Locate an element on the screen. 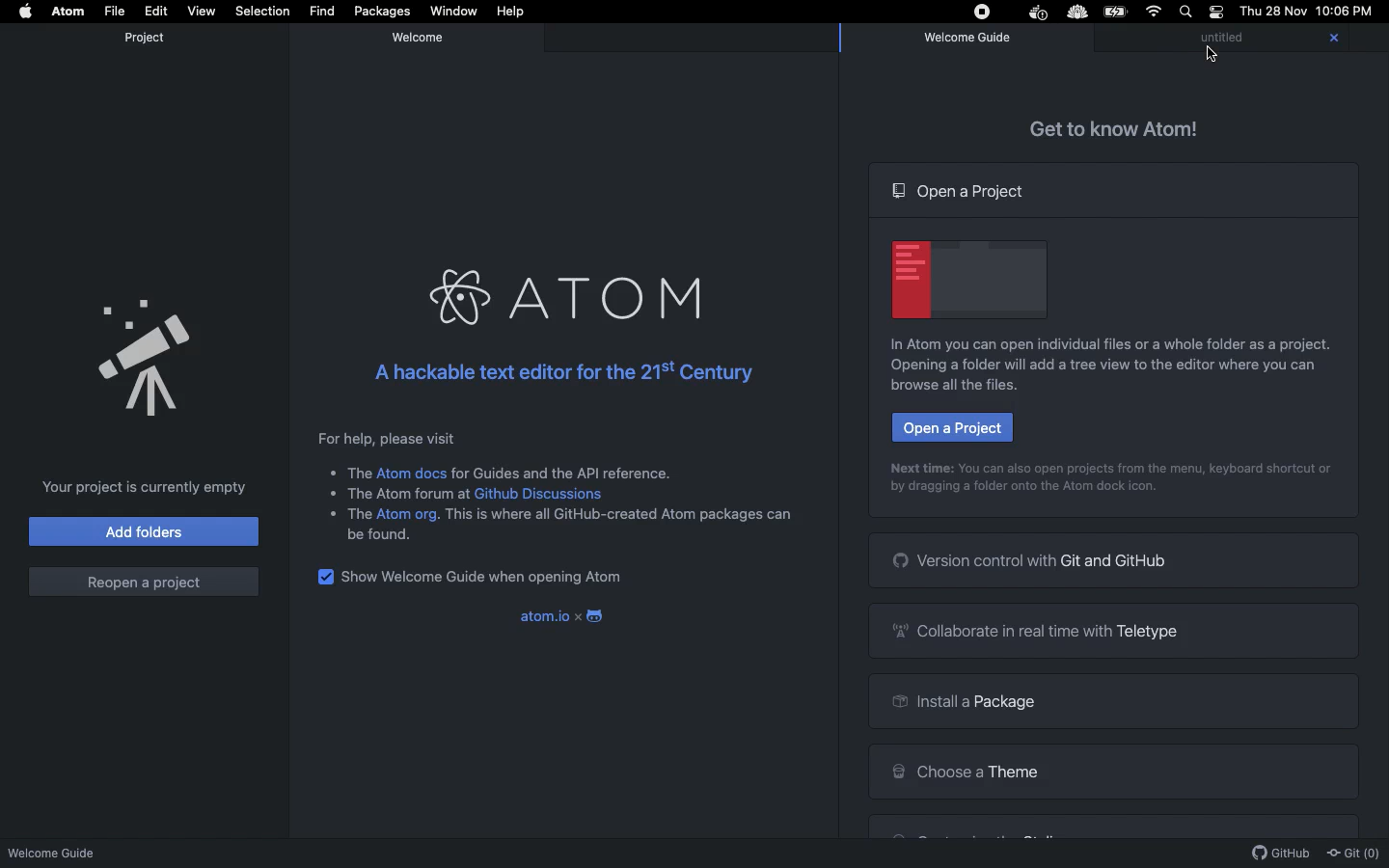 The width and height of the screenshot is (1389, 868). Internet is located at coordinates (1151, 14).